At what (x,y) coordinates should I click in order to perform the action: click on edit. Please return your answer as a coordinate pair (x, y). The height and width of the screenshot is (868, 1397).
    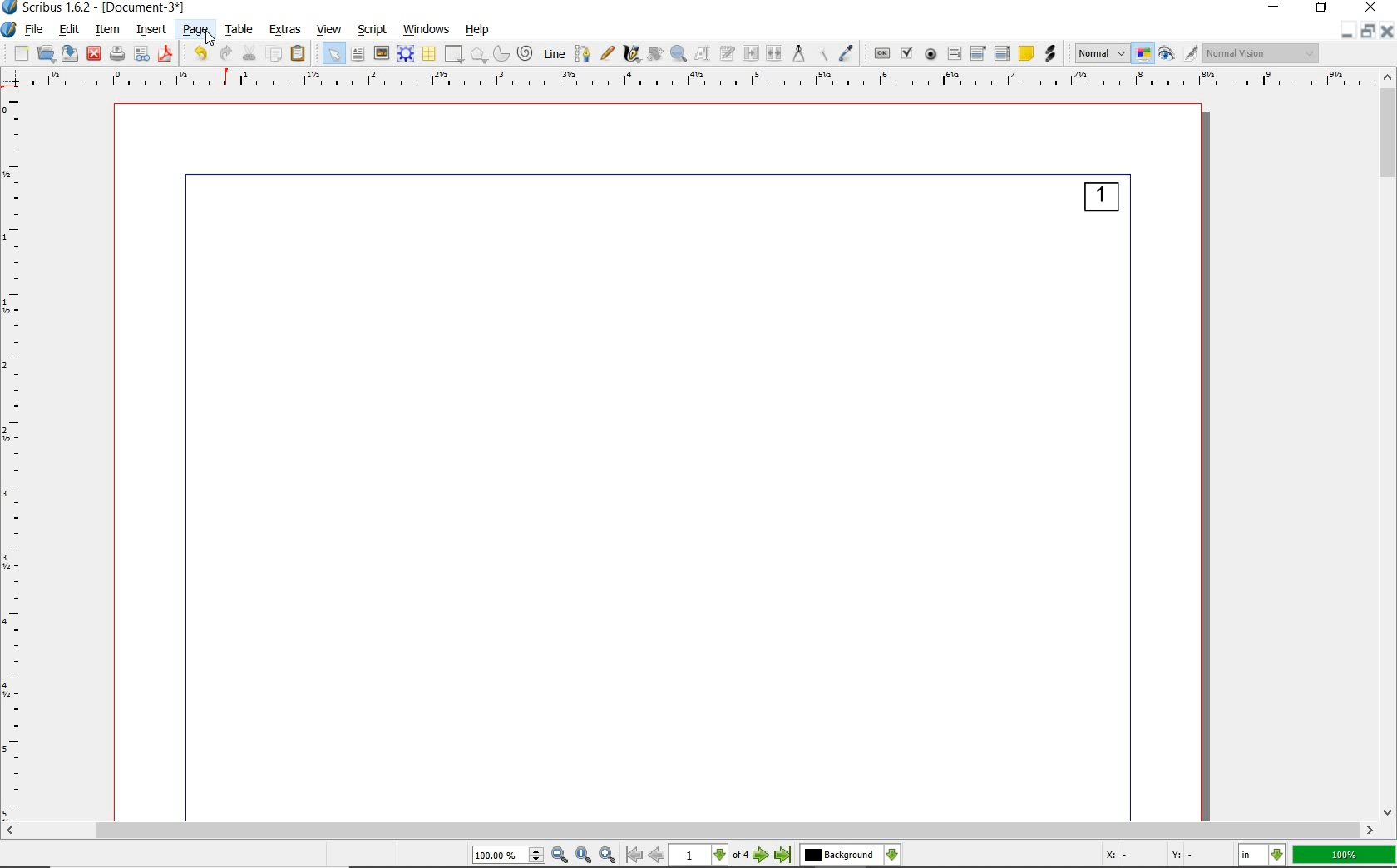
    Looking at the image, I should click on (68, 29).